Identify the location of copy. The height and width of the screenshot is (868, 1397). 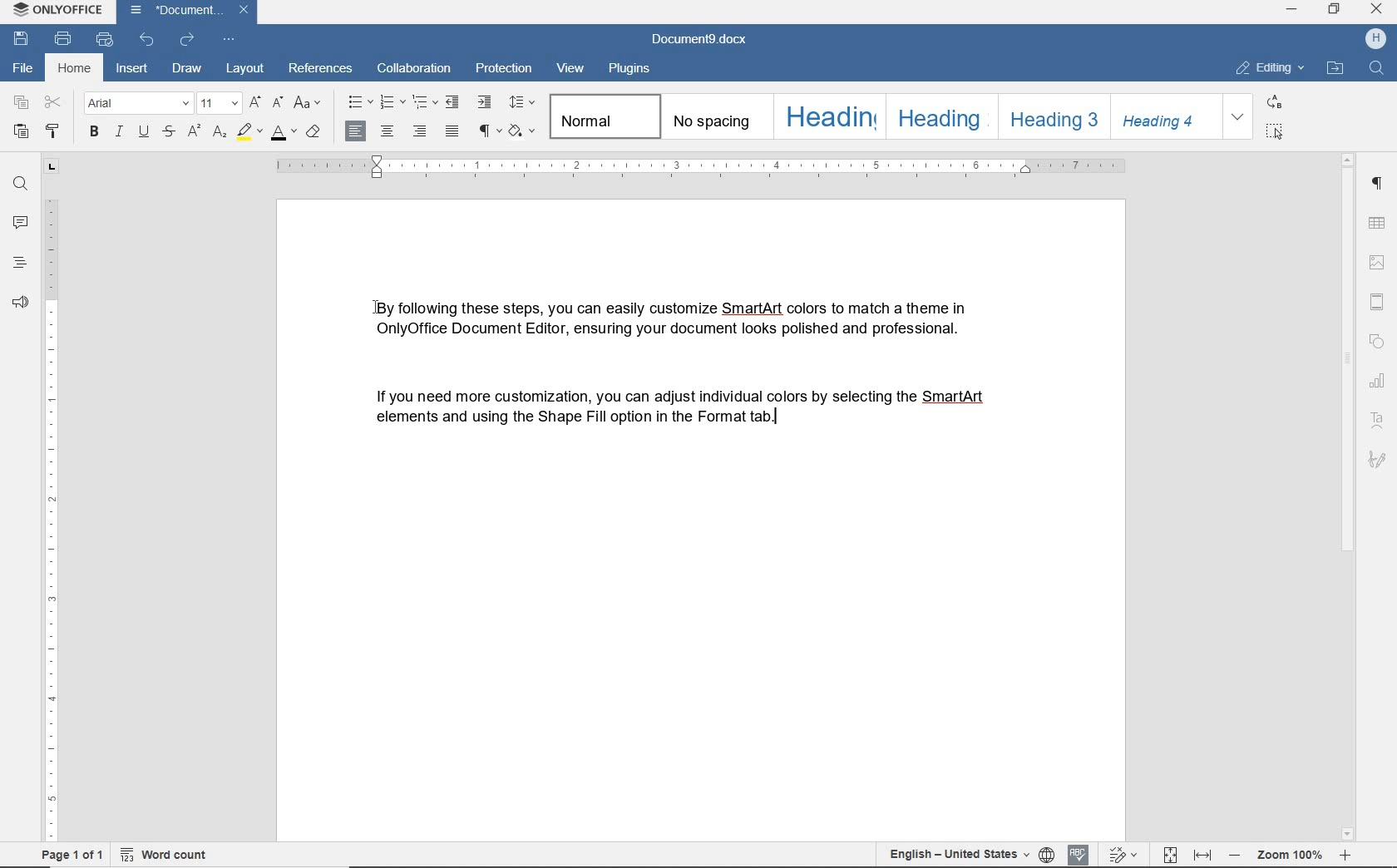
(23, 106).